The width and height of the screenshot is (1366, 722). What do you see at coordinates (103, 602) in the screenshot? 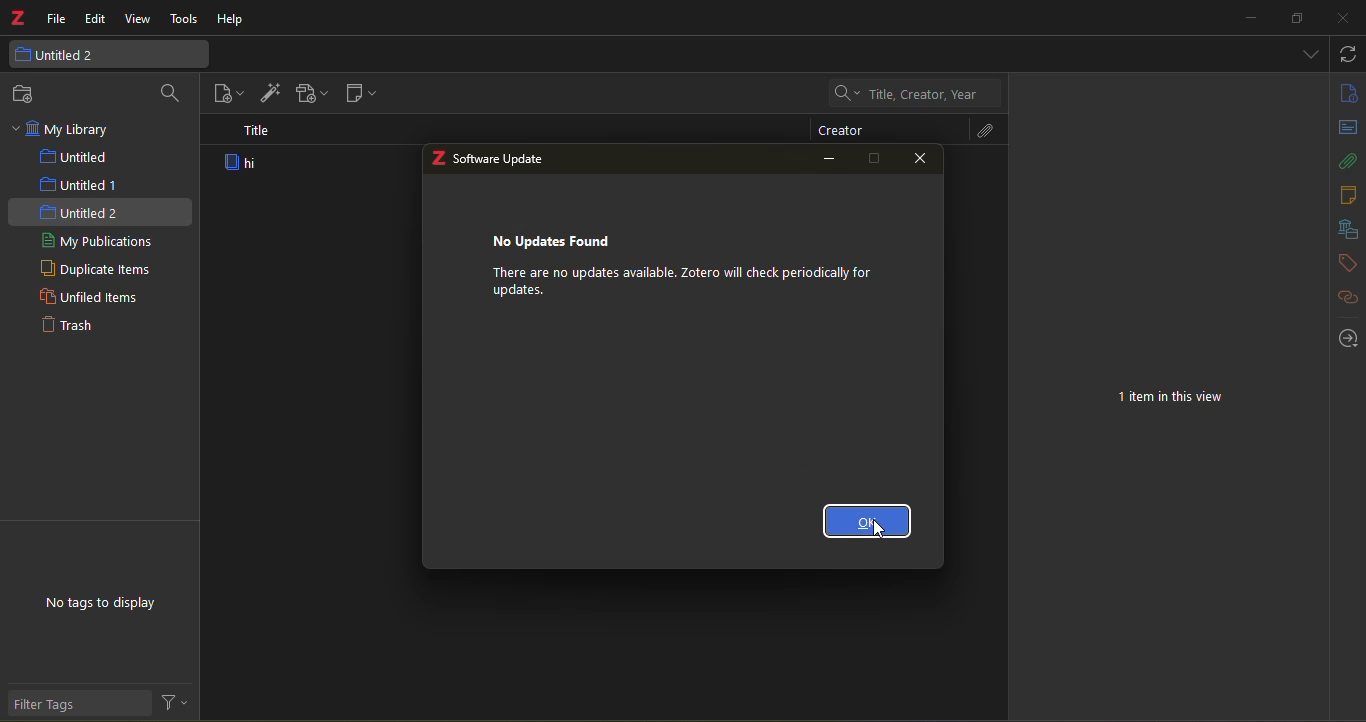
I see `no tags to display` at bounding box center [103, 602].